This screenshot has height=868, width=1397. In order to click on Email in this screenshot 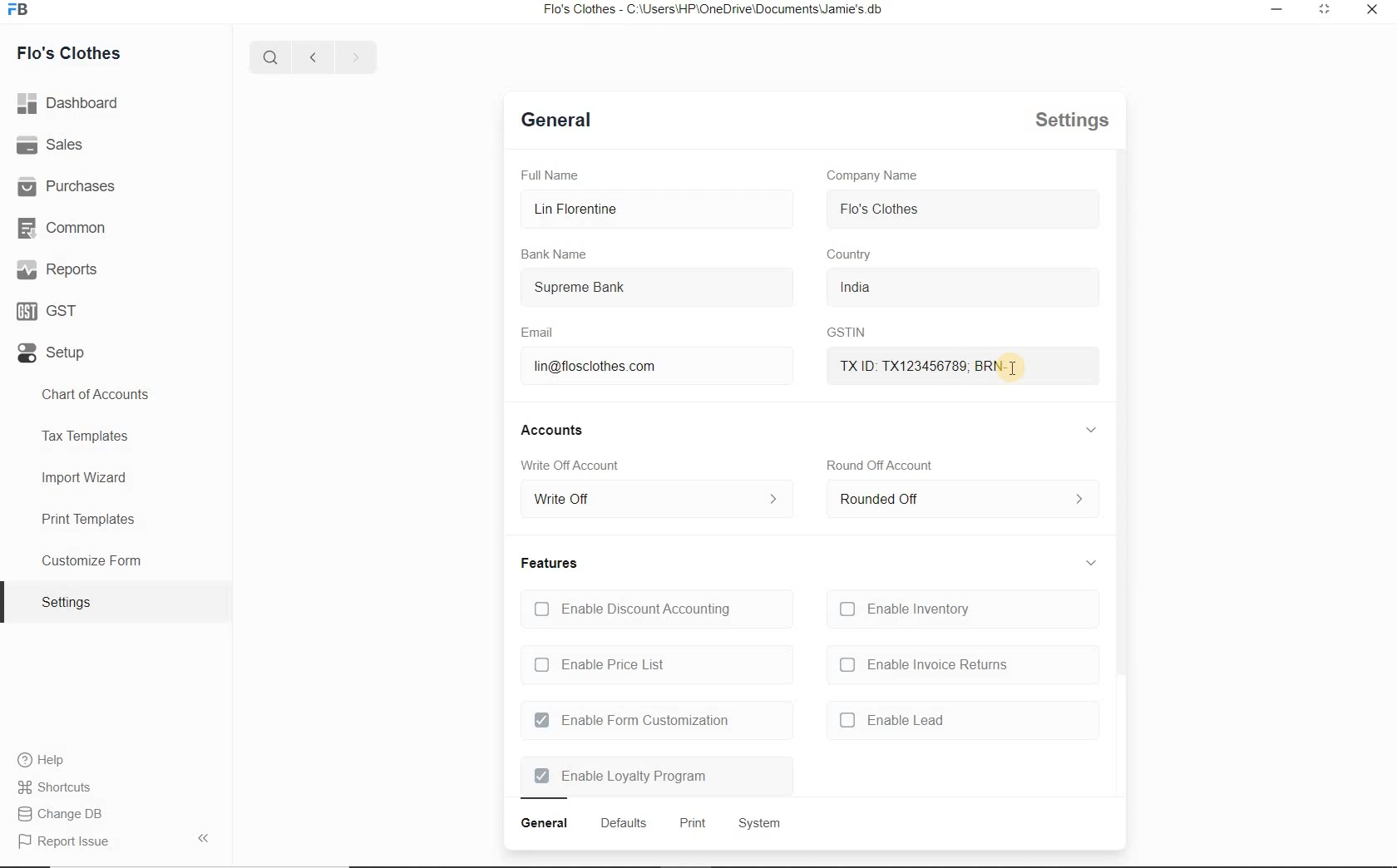, I will do `click(541, 333)`.